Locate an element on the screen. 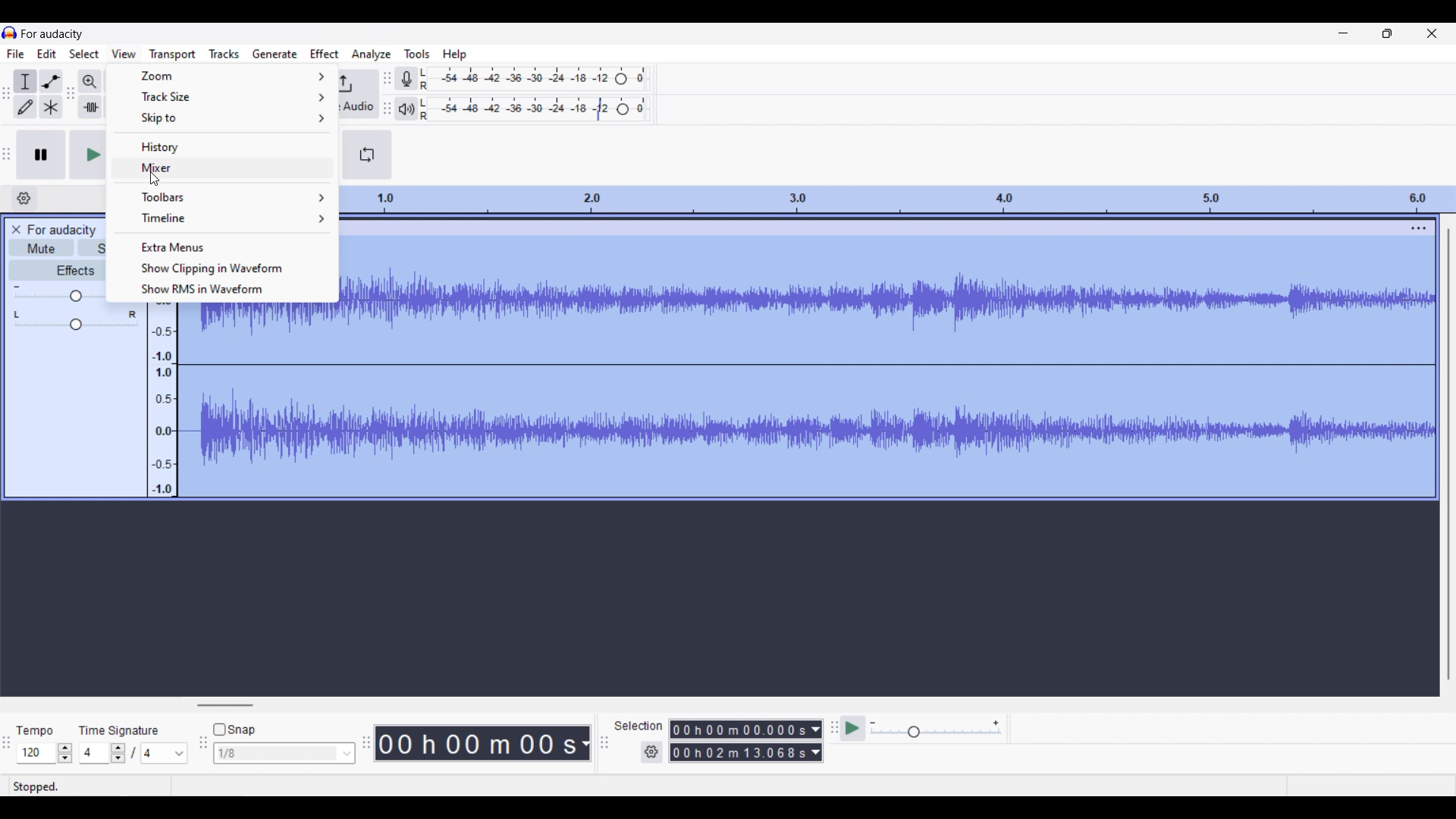 Image resolution: width=1456 pixels, height=819 pixels. Play at speed/Play at speed once is located at coordinates (852, 729).